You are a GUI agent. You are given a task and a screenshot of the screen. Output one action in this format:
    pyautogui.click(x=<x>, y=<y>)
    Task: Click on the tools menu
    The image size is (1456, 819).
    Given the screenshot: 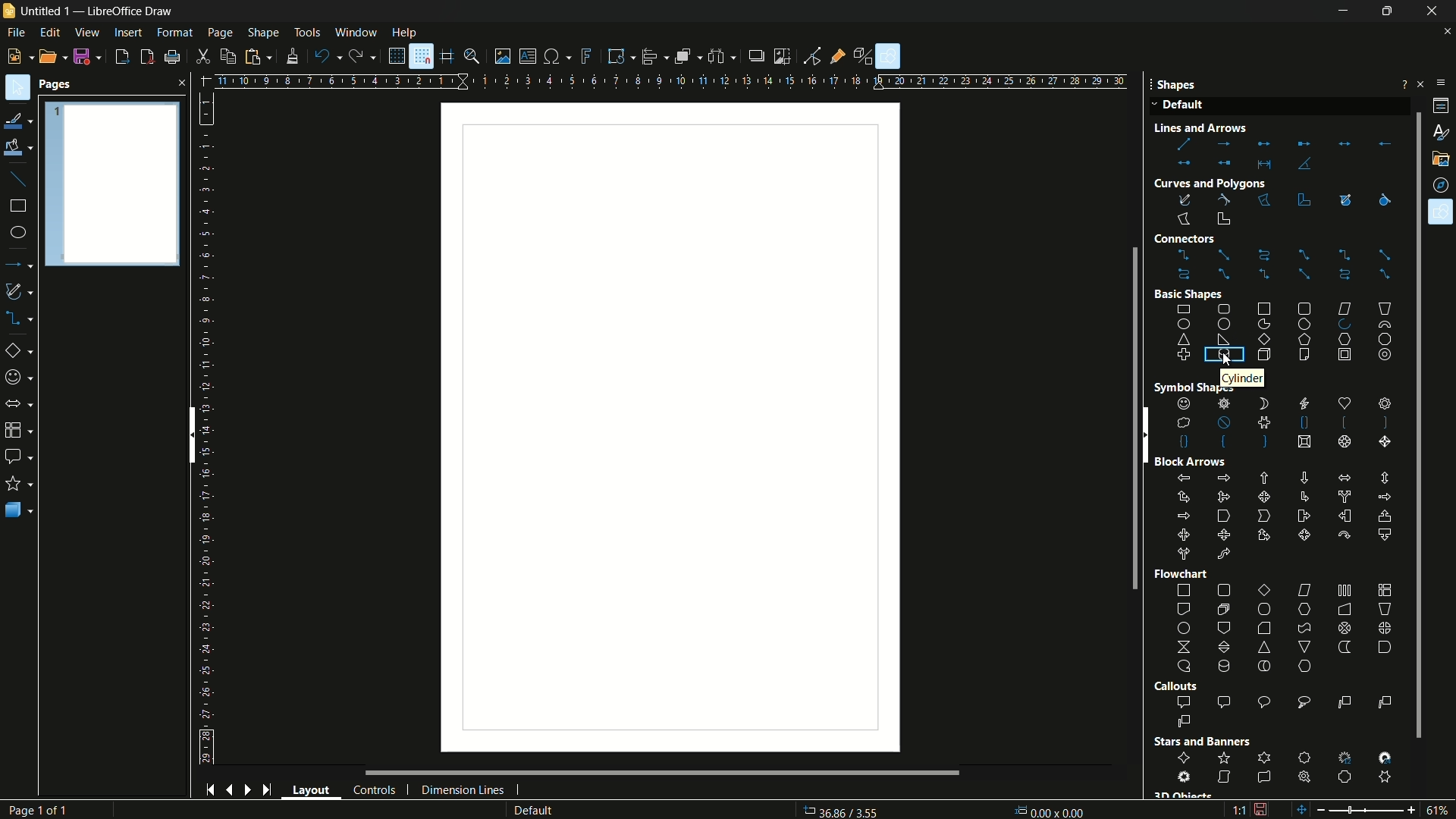 What is the action you would take?
    pyautogui.click(x=307, y=33)
    